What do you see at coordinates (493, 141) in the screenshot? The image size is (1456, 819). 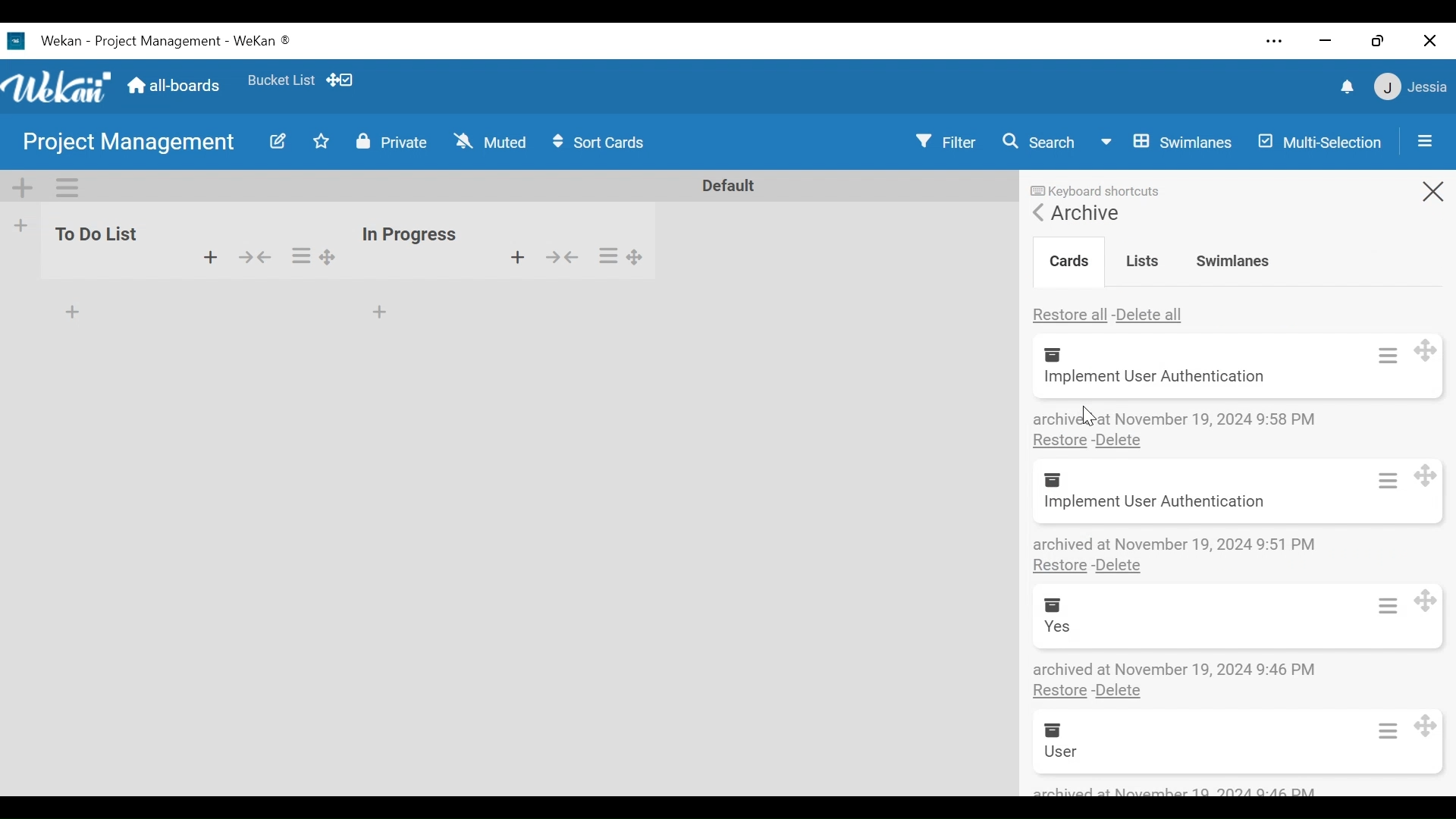 I see `Change Watch` at bounding box center [493, 141].